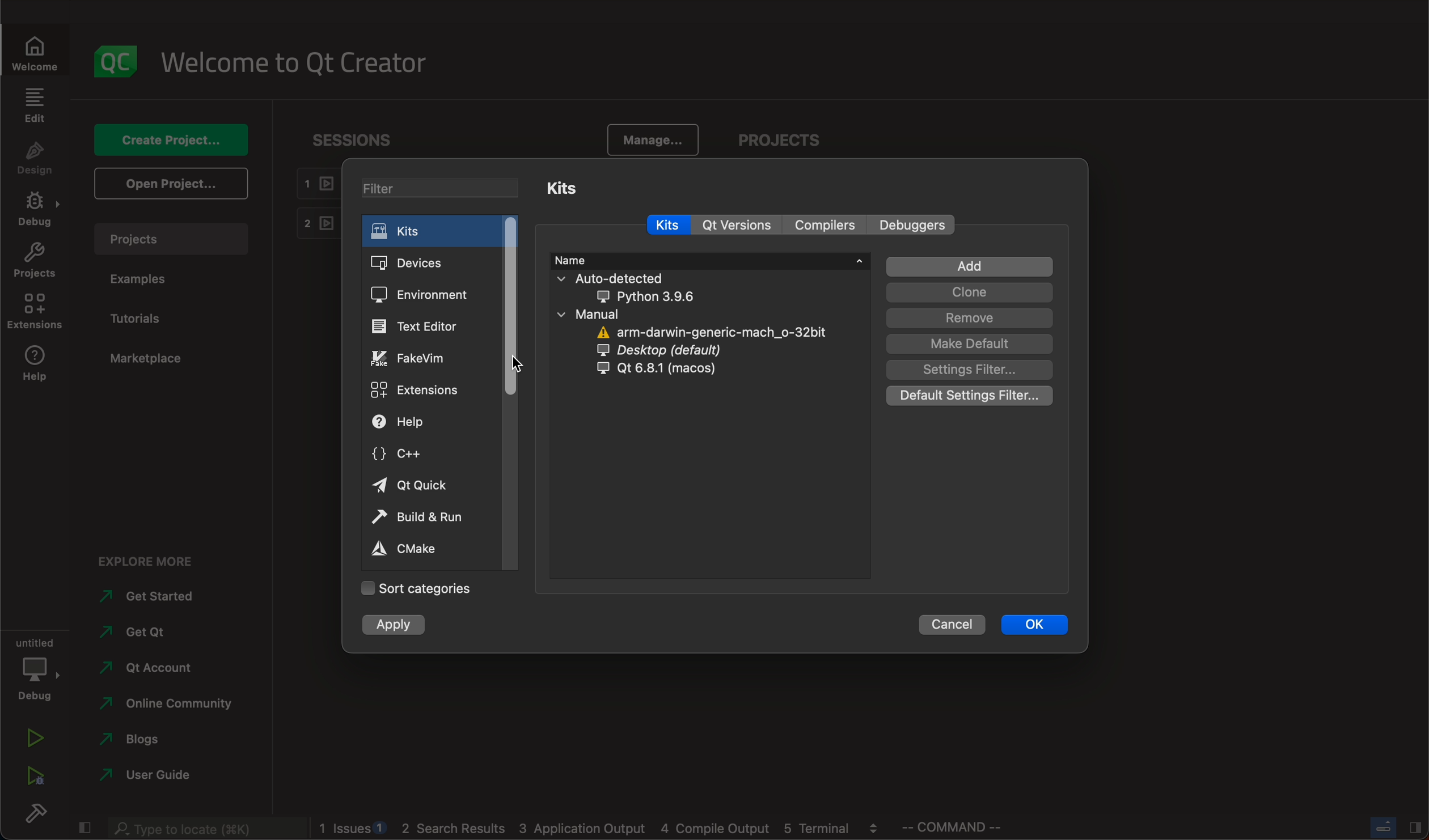 The height and width of the screenshot is (840, 1429). Describe the element at coordinates (150, 634) in the screenshot. I see `get qt` at that location.